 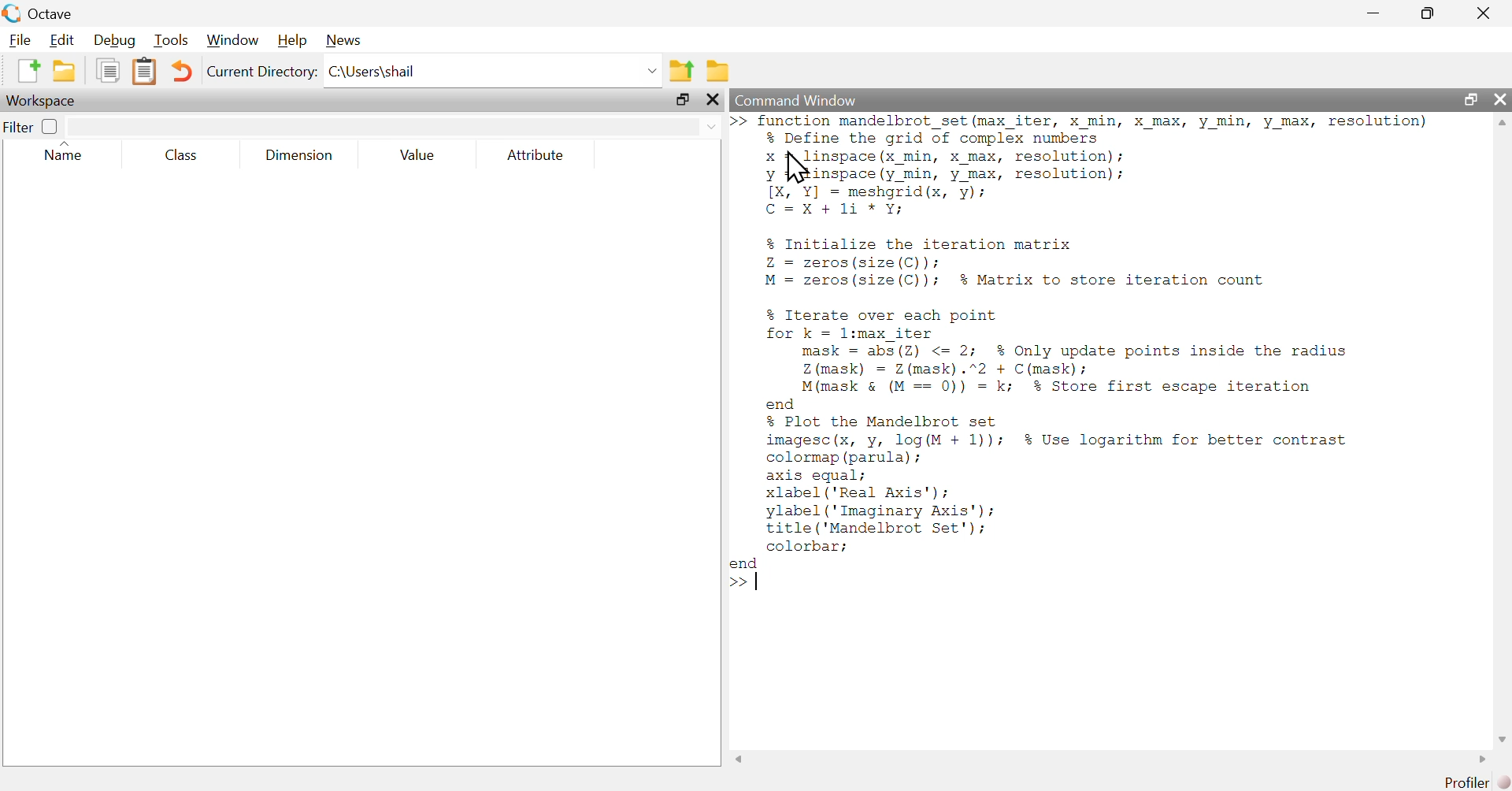 What do you see at coordinates (713, 101) in the screenshot?
I see `close` at bounding box center [713, 101].